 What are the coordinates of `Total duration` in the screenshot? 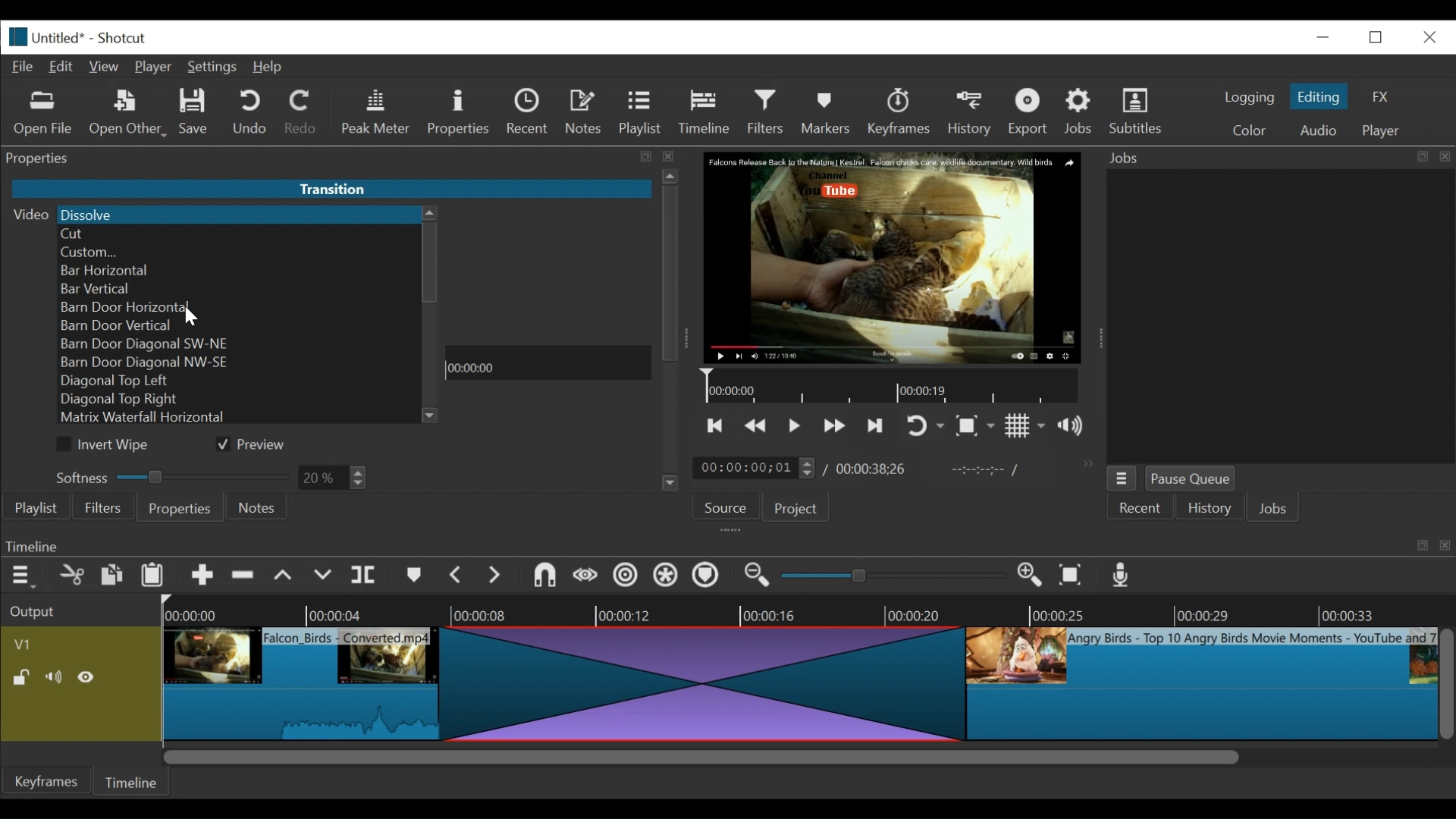 It's located at (876, 469).